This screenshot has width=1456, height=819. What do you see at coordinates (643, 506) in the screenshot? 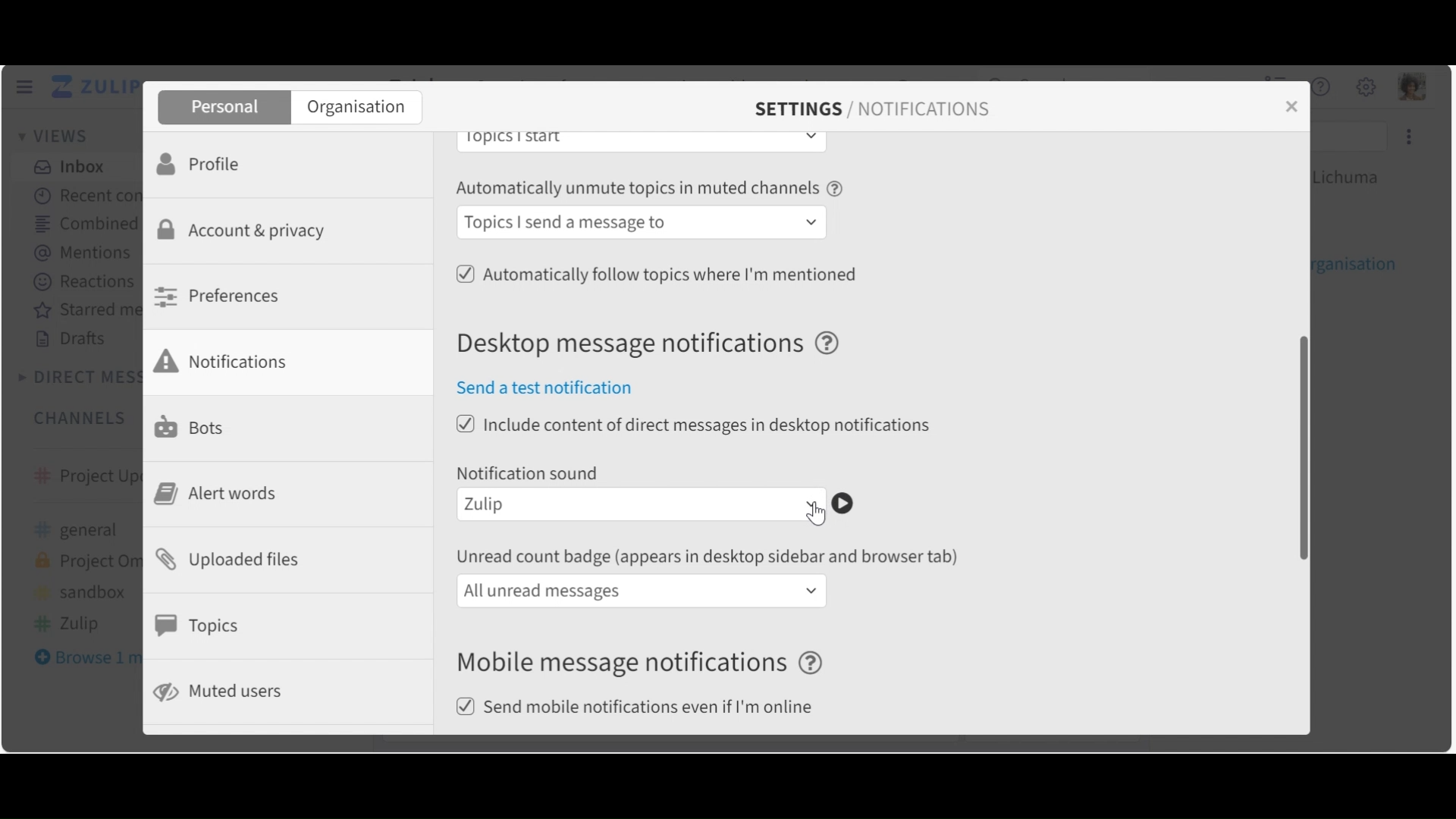
I see `Notification sound dropdown menu` at bounding box center [643, 506].